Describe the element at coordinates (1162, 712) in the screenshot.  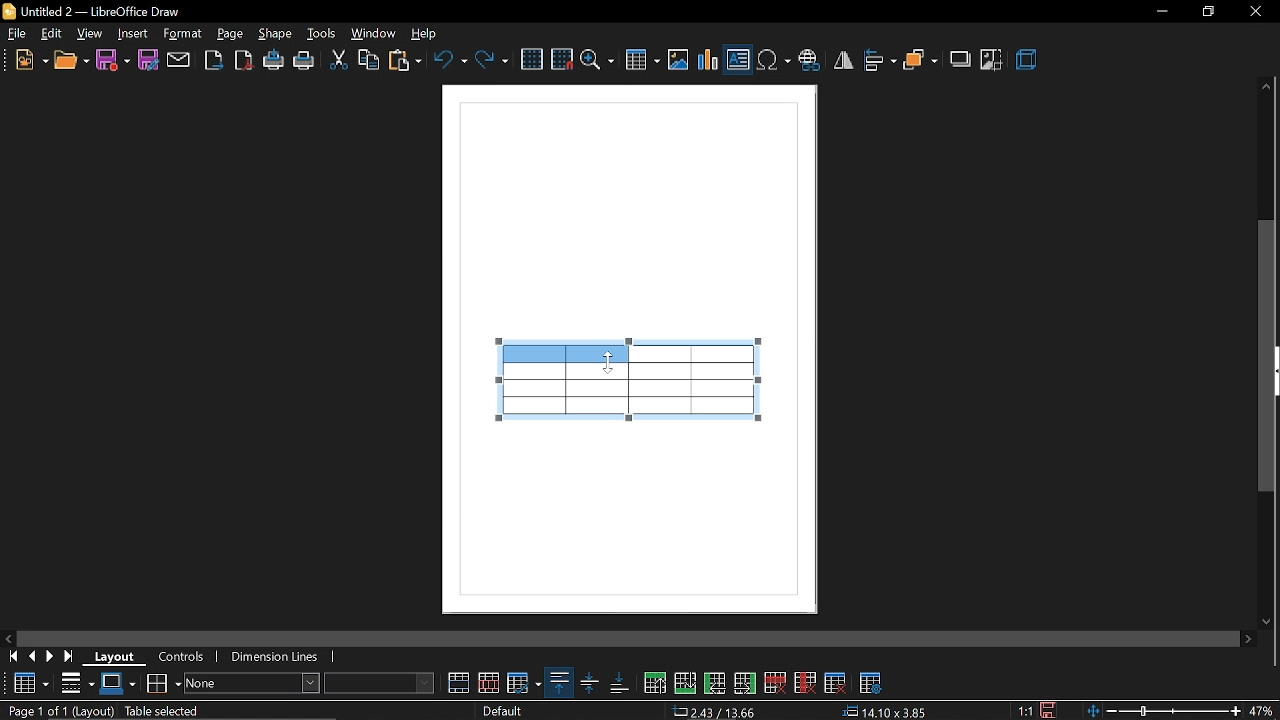
I see `zoom change` at that location.